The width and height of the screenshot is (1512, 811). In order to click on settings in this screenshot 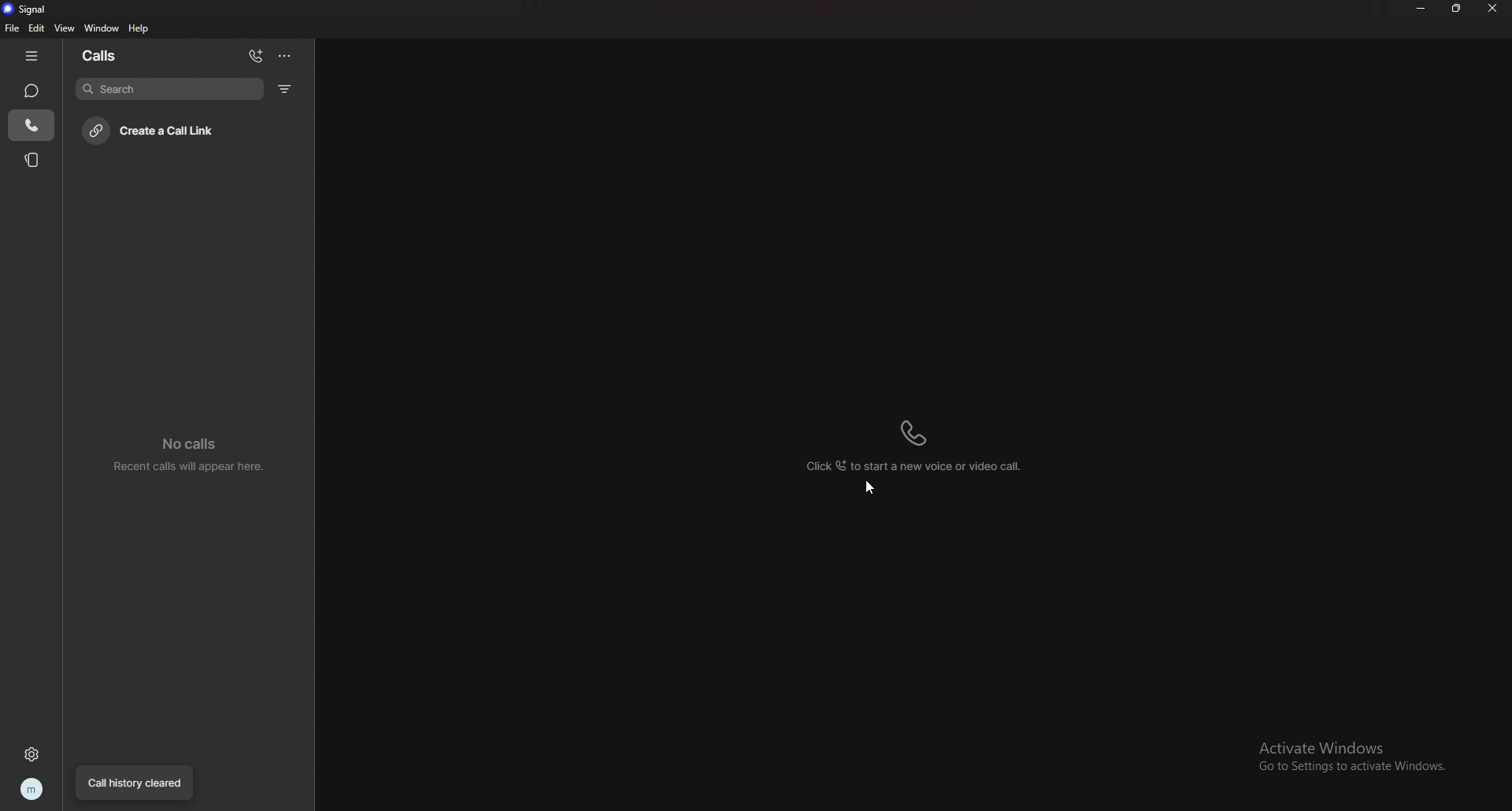, I will do `click(31, 754)`.